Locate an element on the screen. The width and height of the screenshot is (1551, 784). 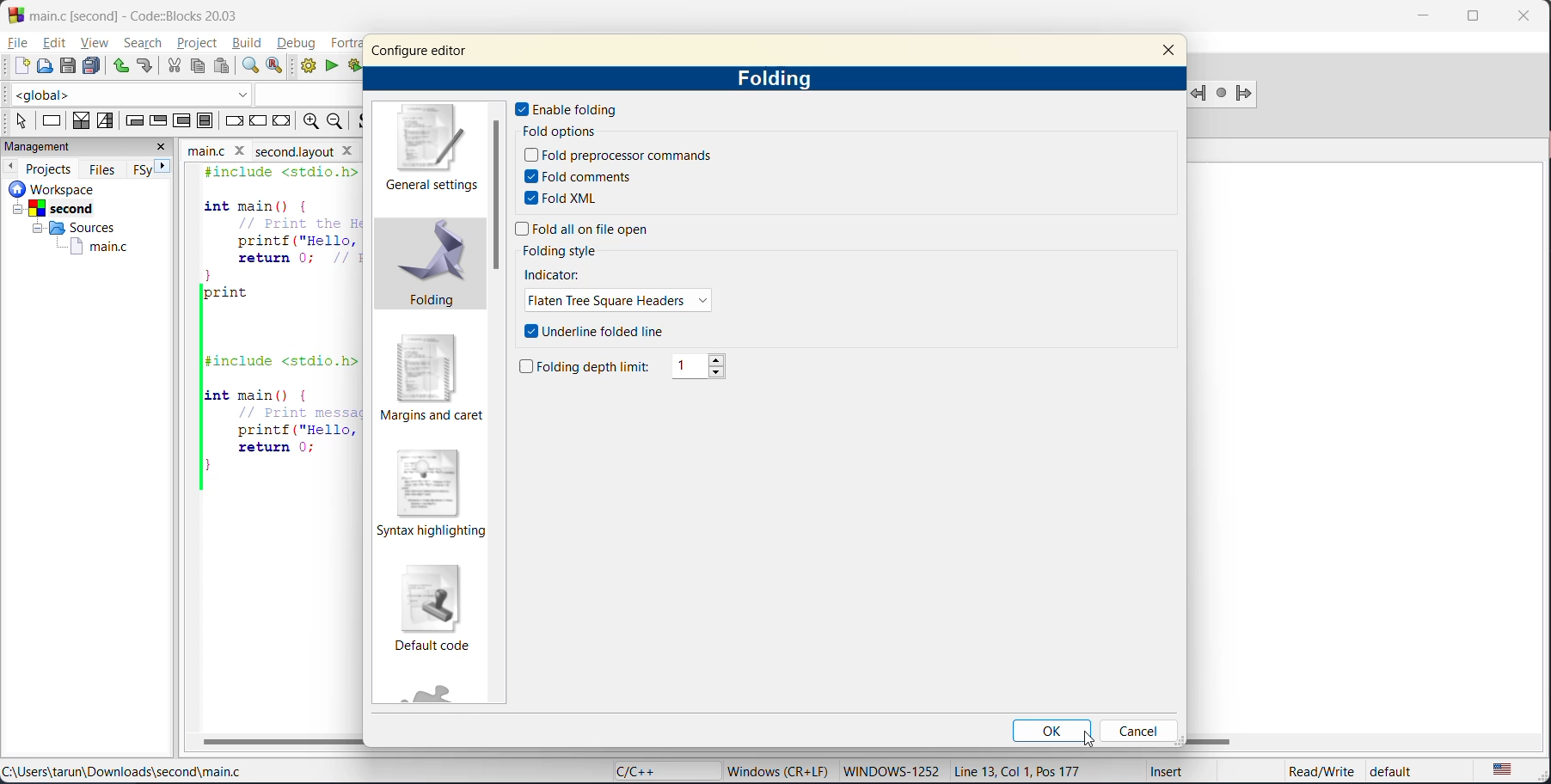
toggle source is located at coordinates (366, 122).